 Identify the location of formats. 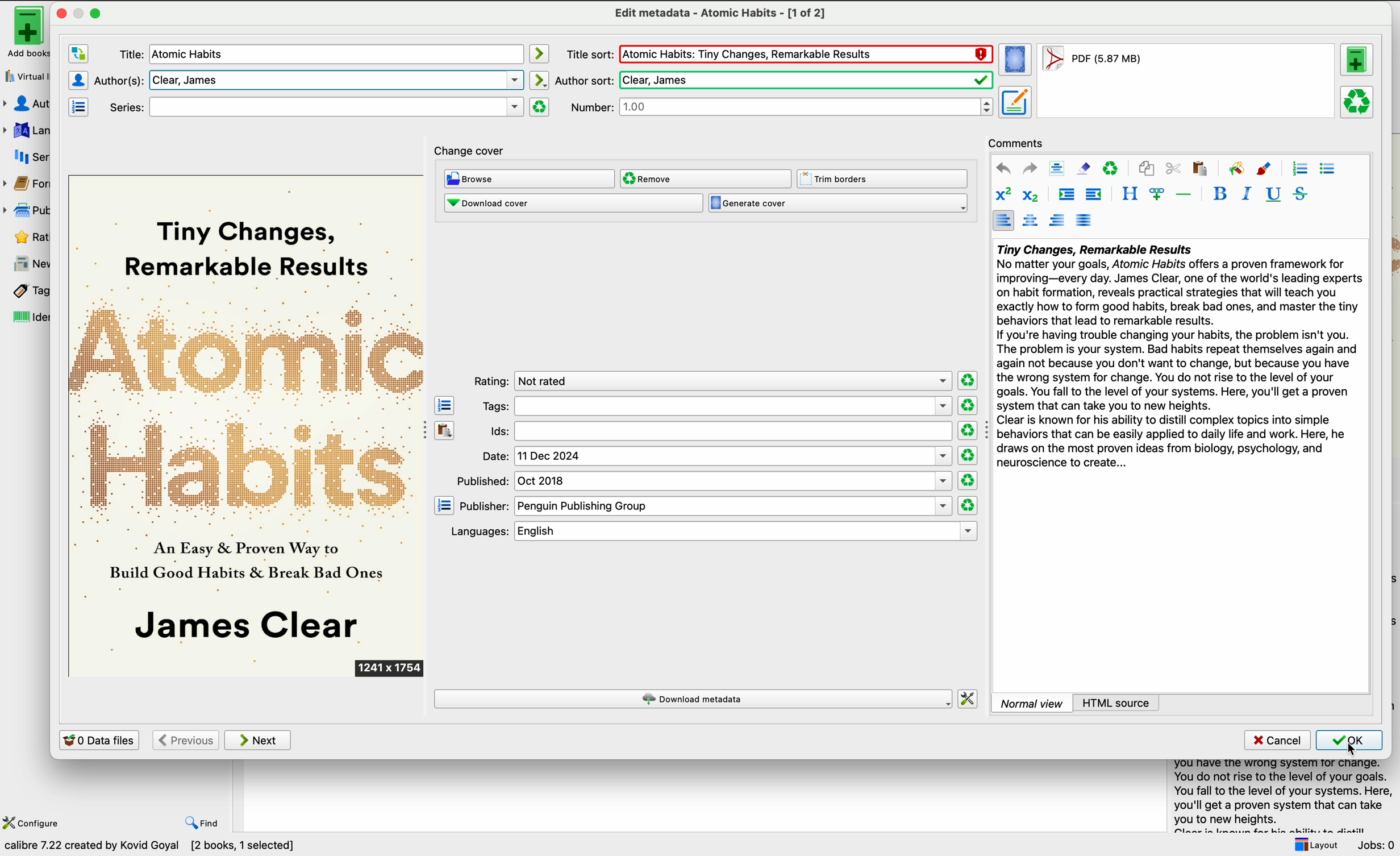
(28, 186).